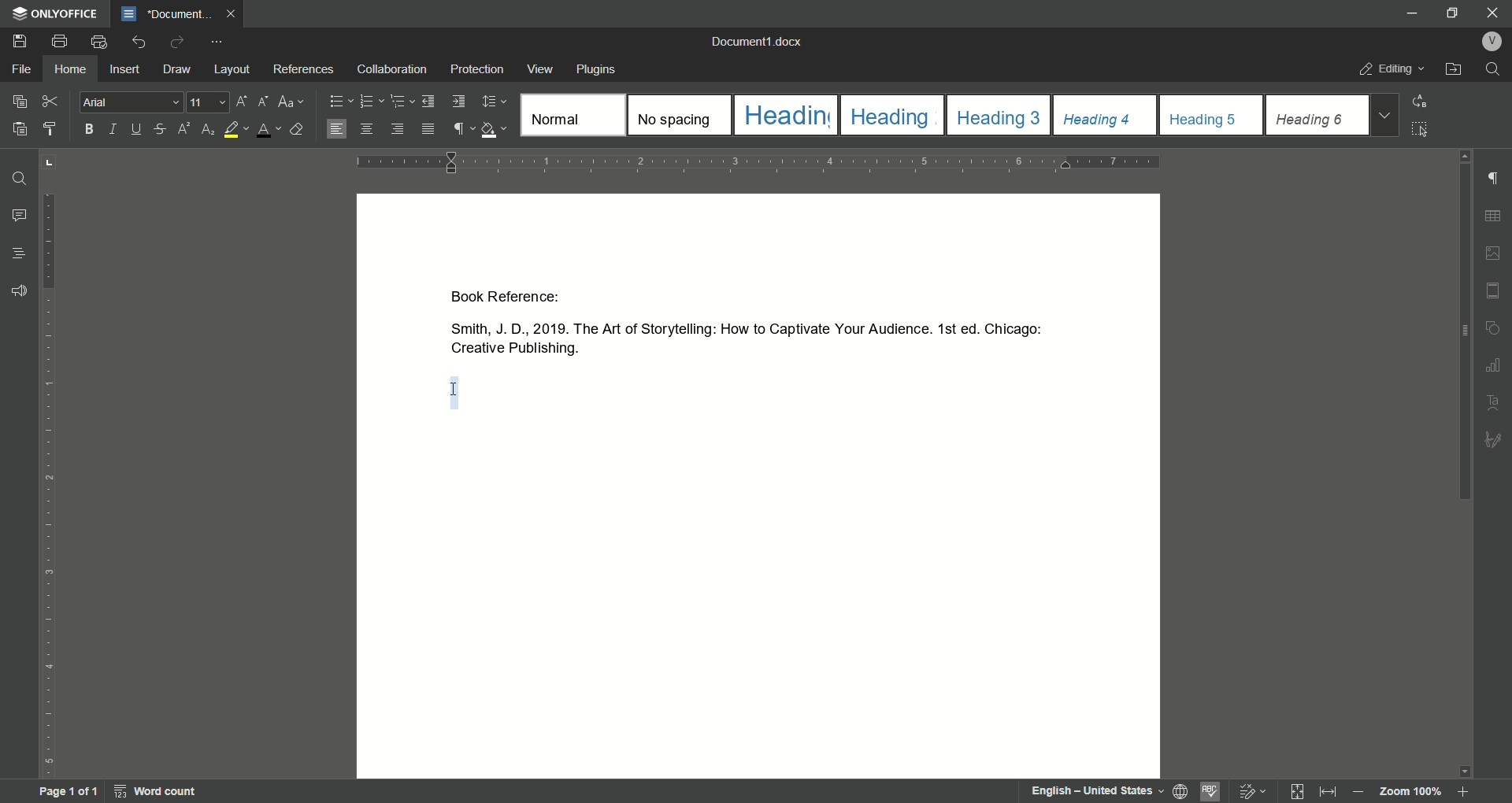 The image size is (1512, 803). I want to click on decrease indent, so click(428, 102).